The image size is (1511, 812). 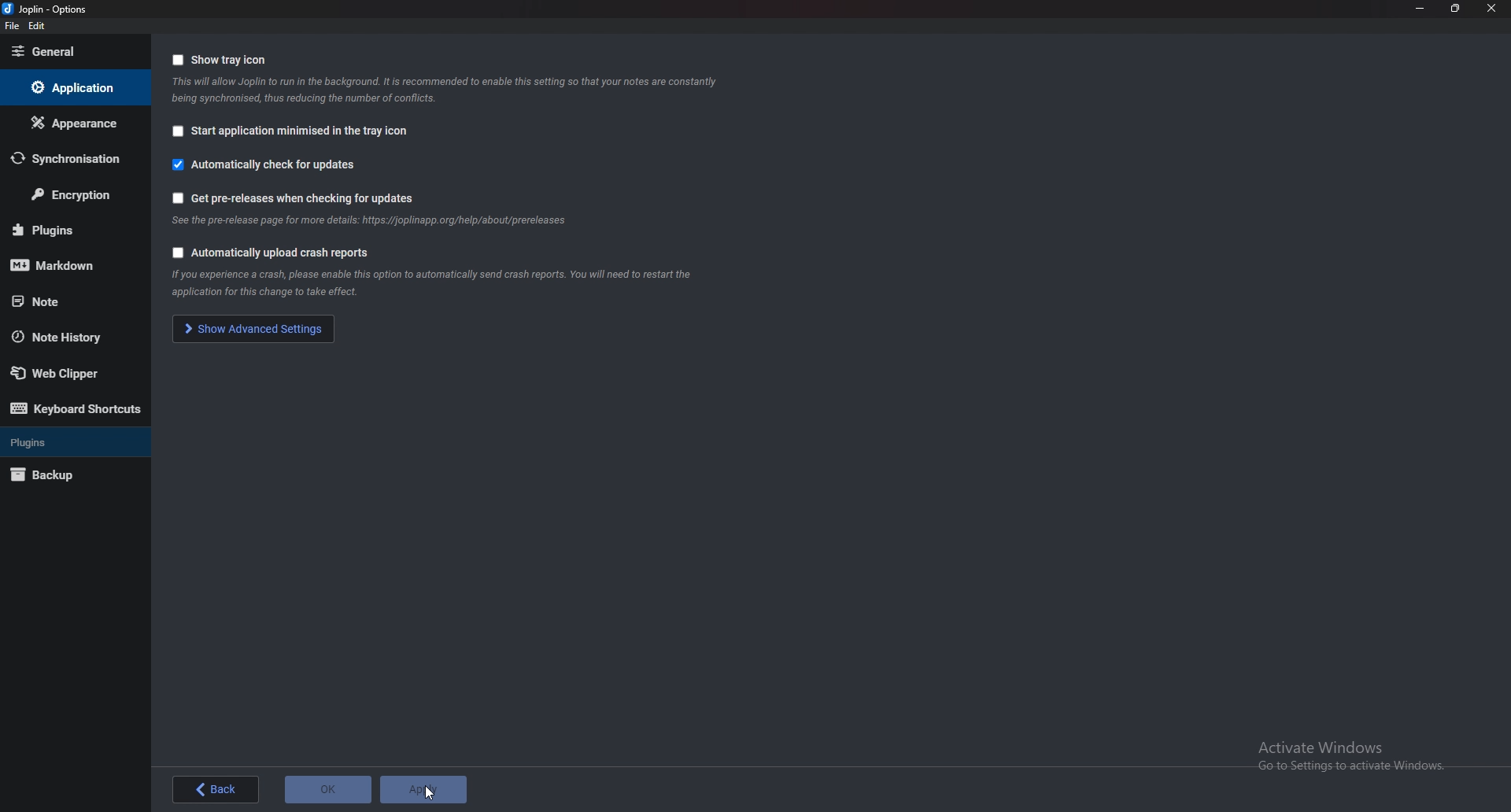 I want to click on Automatically check for updates, so click(x=276, y=166).